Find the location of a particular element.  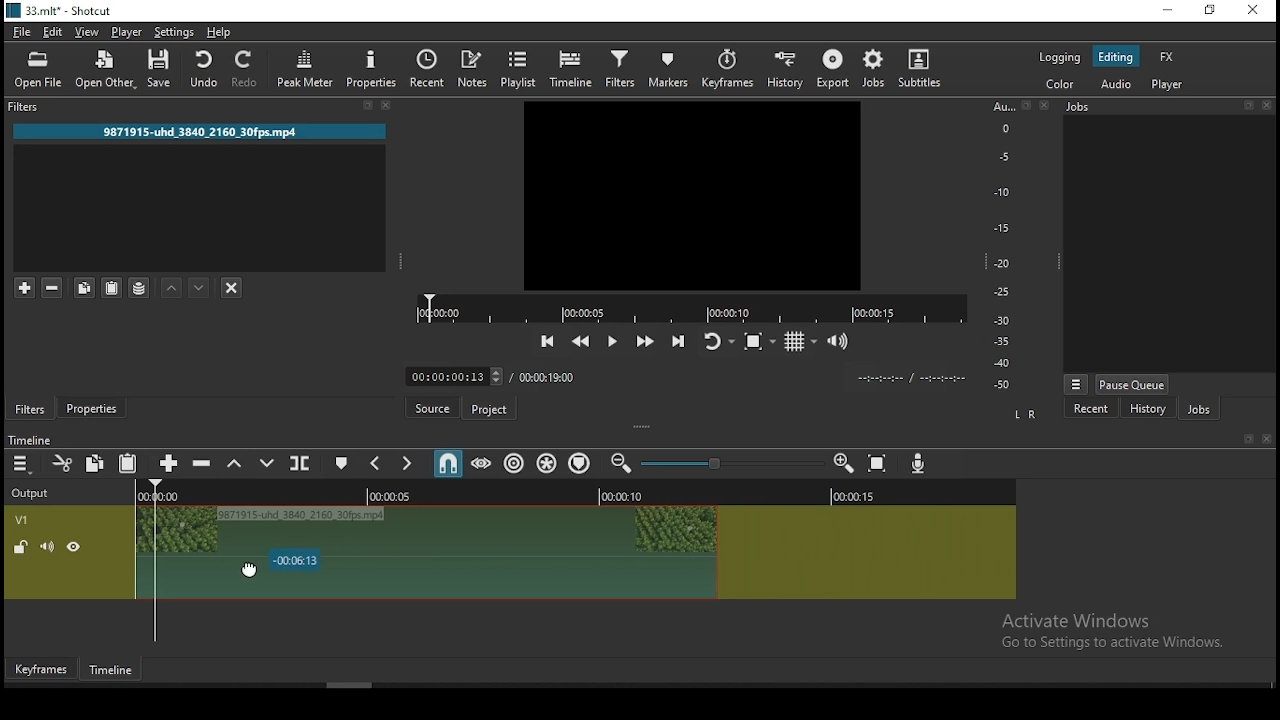

Playback time is located at coordinates (914, 379).